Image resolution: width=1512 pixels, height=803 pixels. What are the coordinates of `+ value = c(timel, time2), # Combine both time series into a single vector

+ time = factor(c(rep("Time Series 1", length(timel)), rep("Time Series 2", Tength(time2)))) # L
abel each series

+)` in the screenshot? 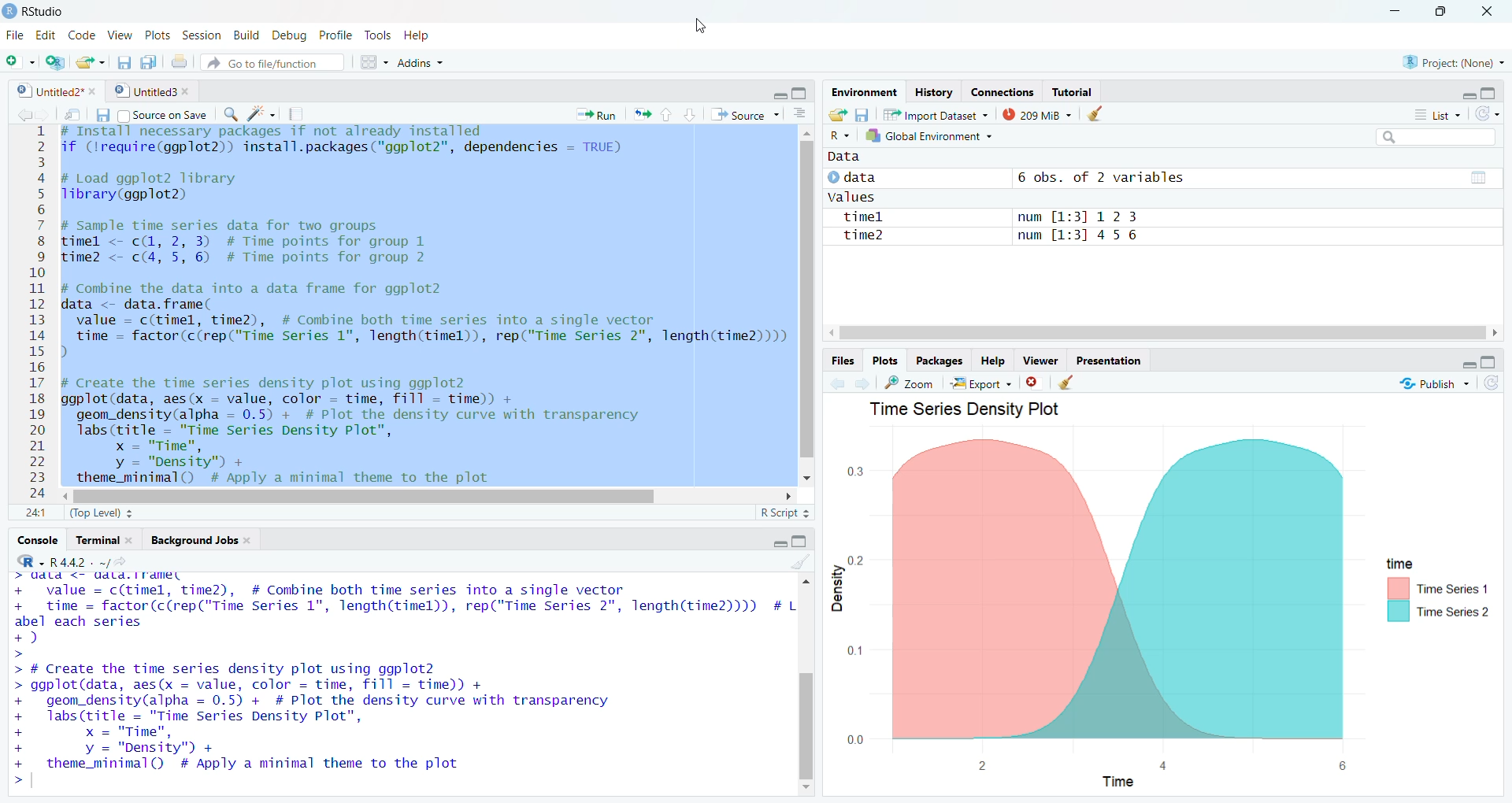 It's located at (402, 618).